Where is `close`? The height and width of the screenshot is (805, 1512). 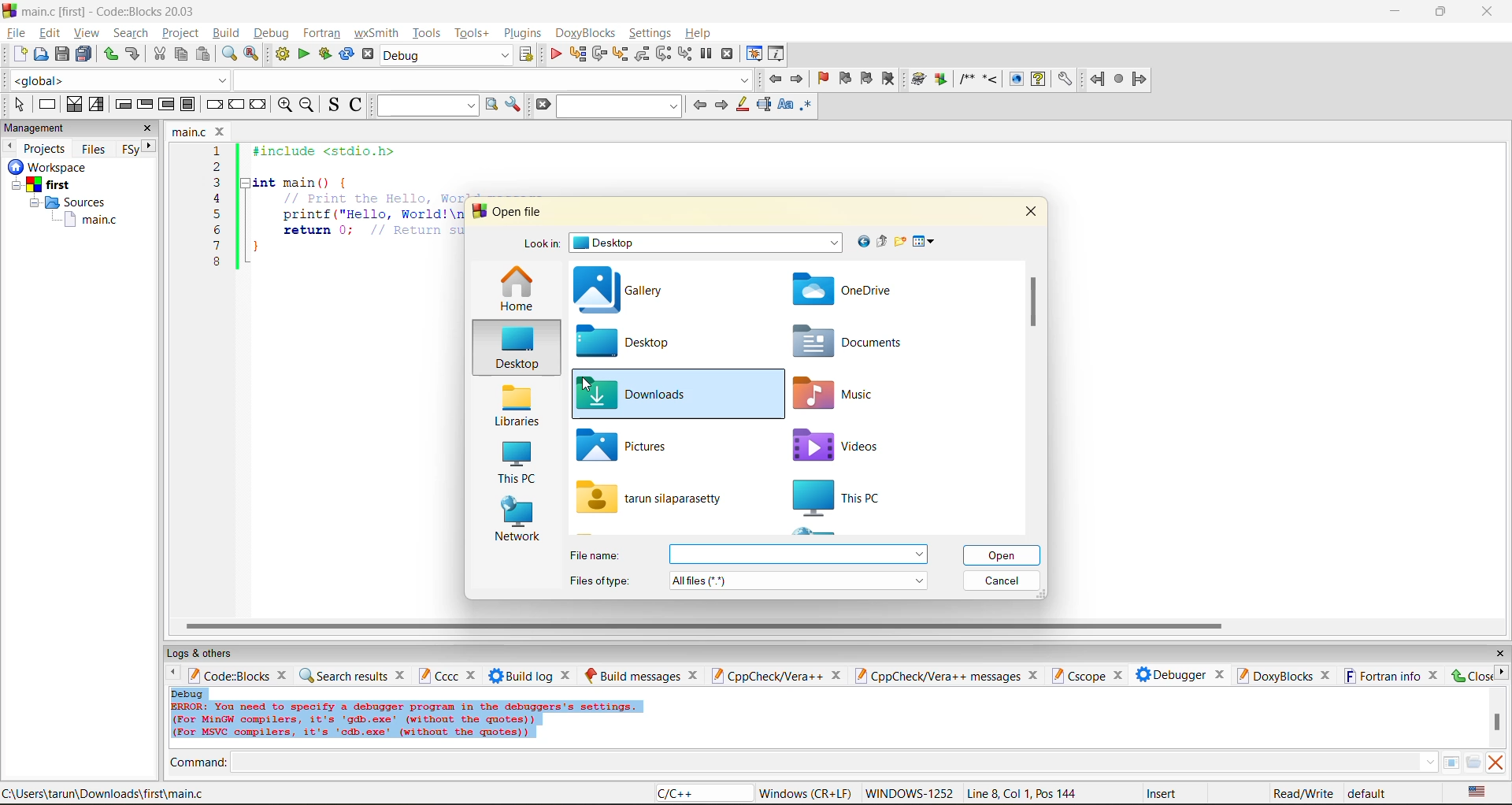
close is located at coordinates (694, 675).